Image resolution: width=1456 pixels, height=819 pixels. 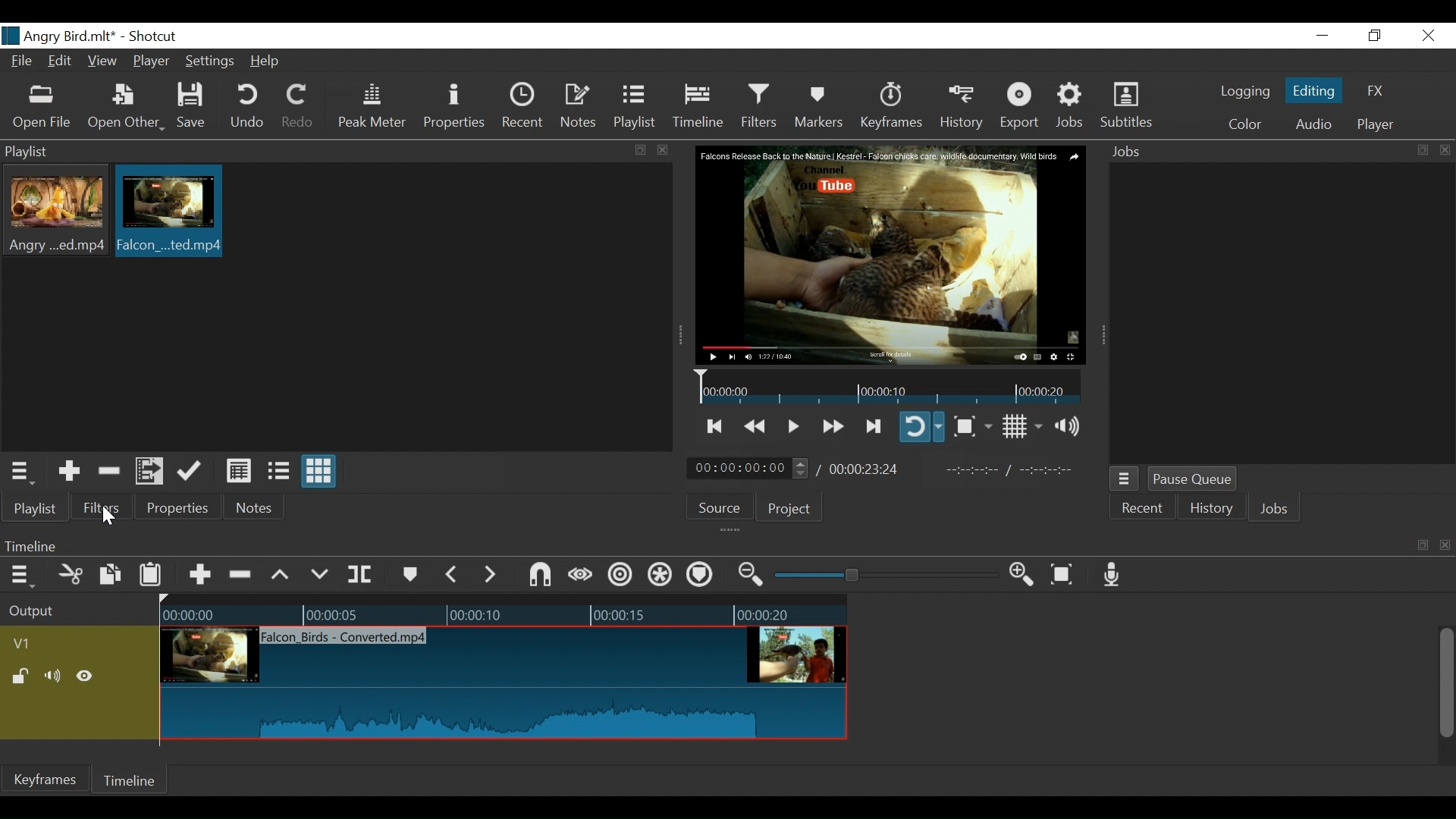 What do you see at coordinates (42, 108) in the screenshot?
I see `Open File` at bounding box center [42, 108].